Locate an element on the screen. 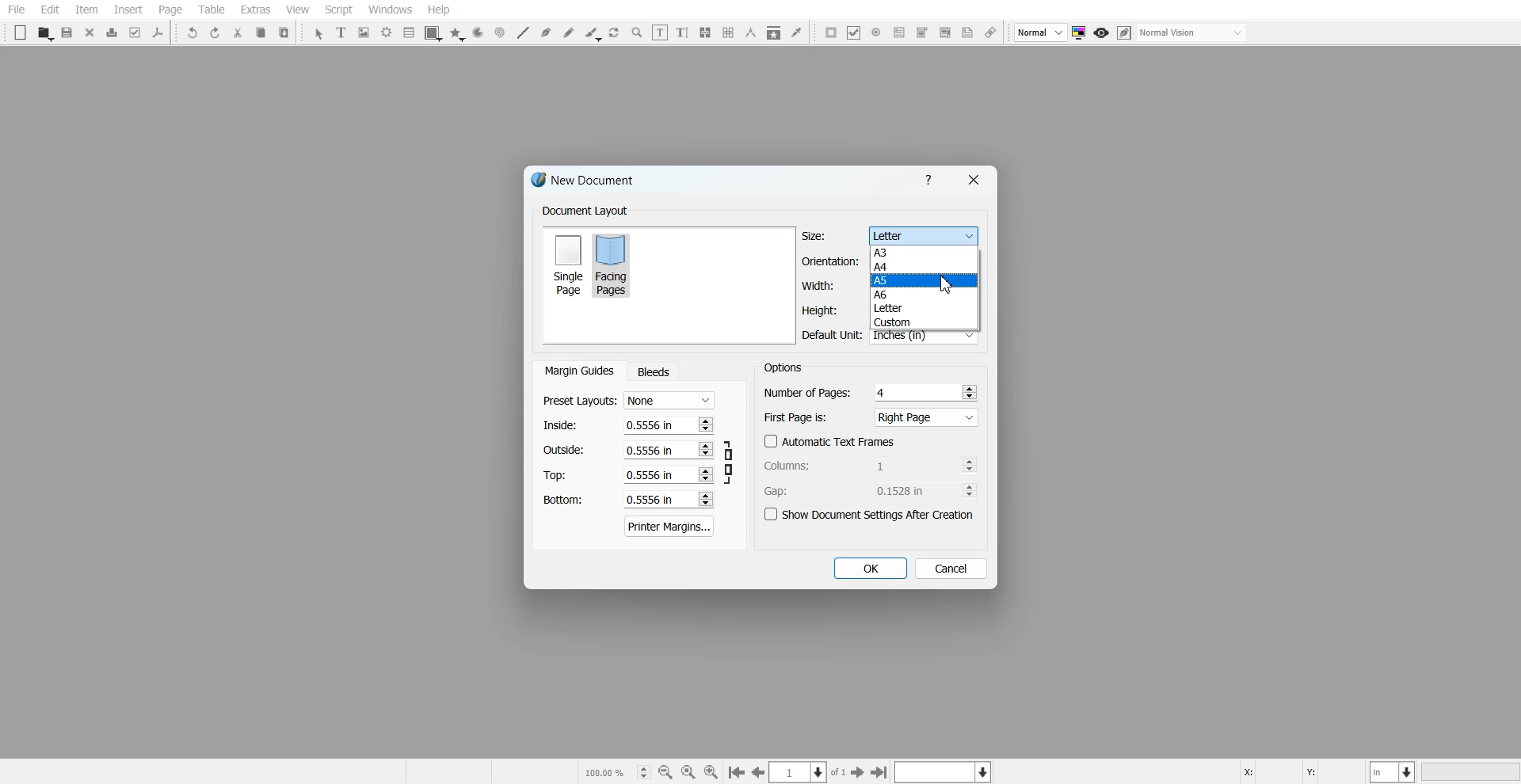 Image resolution: width=1521 pixels, height=784 pixels. Number of Pages is located at coordinates (871, 392).